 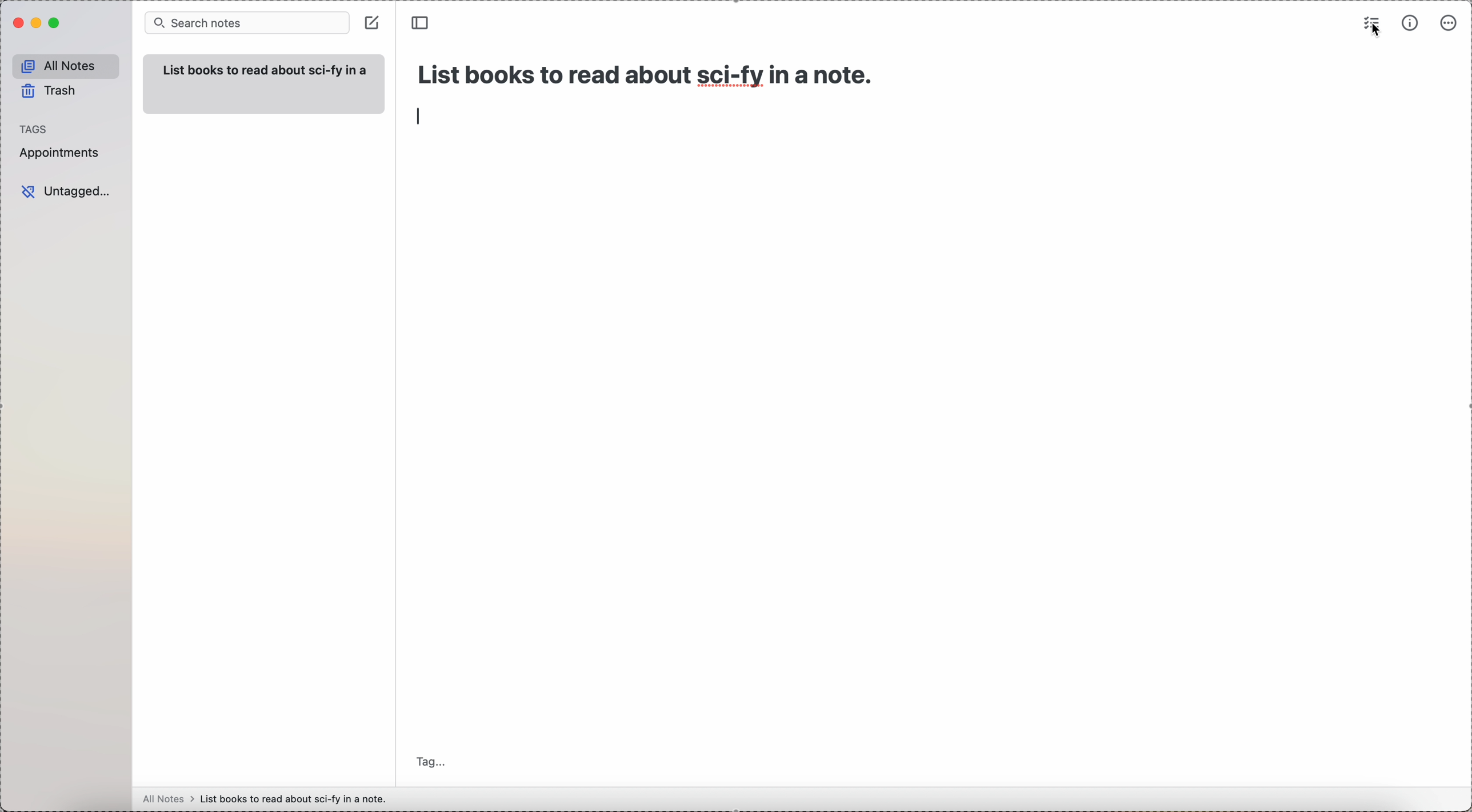 What do you see at coordinates (648, 71) in the screenshot?
I see `title: List books to read about sci-fy in a note.` at bounding box center [648, 71].